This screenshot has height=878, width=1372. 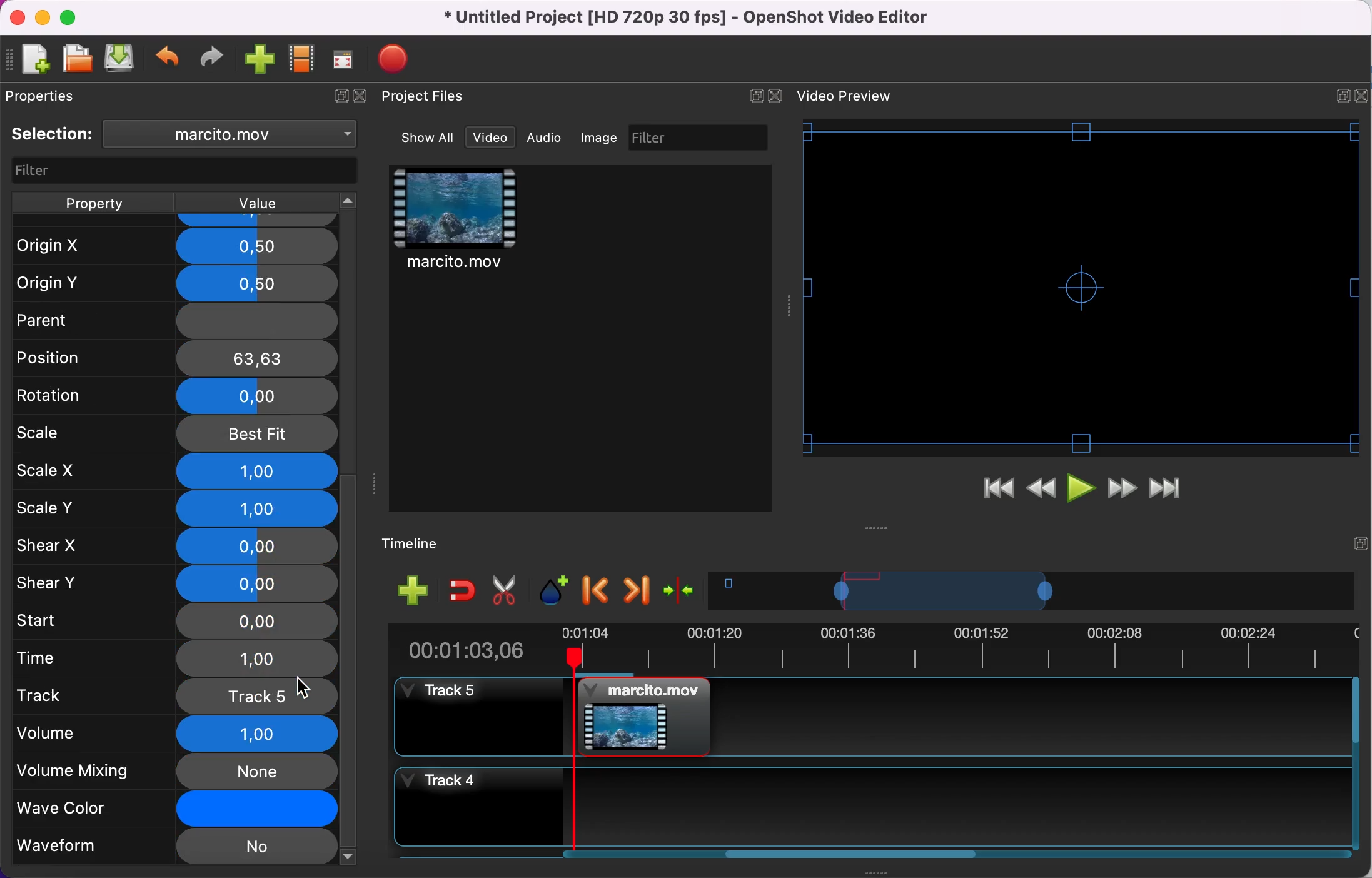 What do you see at coordinates (350, 669) in the screenshot?
I see `vertical scroll bar` at bounding box center [350, 669].